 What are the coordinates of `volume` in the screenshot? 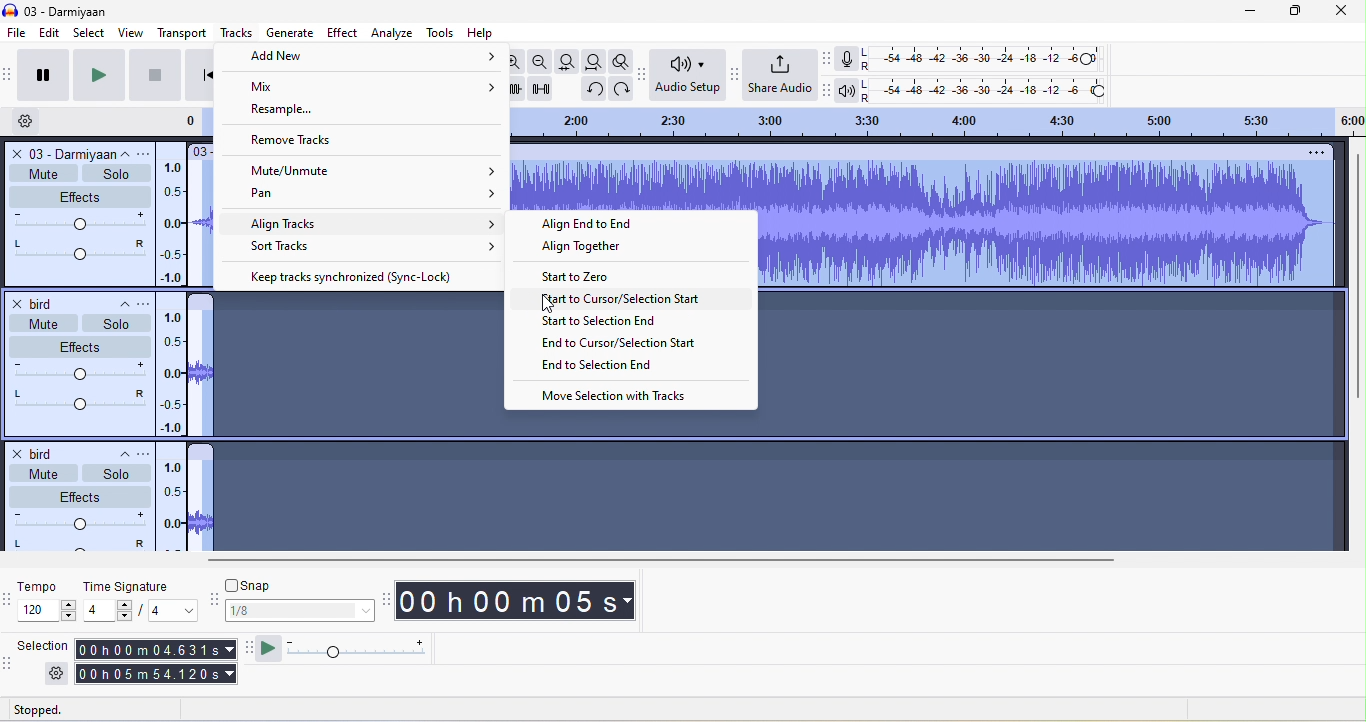 It's located at (79, 222).